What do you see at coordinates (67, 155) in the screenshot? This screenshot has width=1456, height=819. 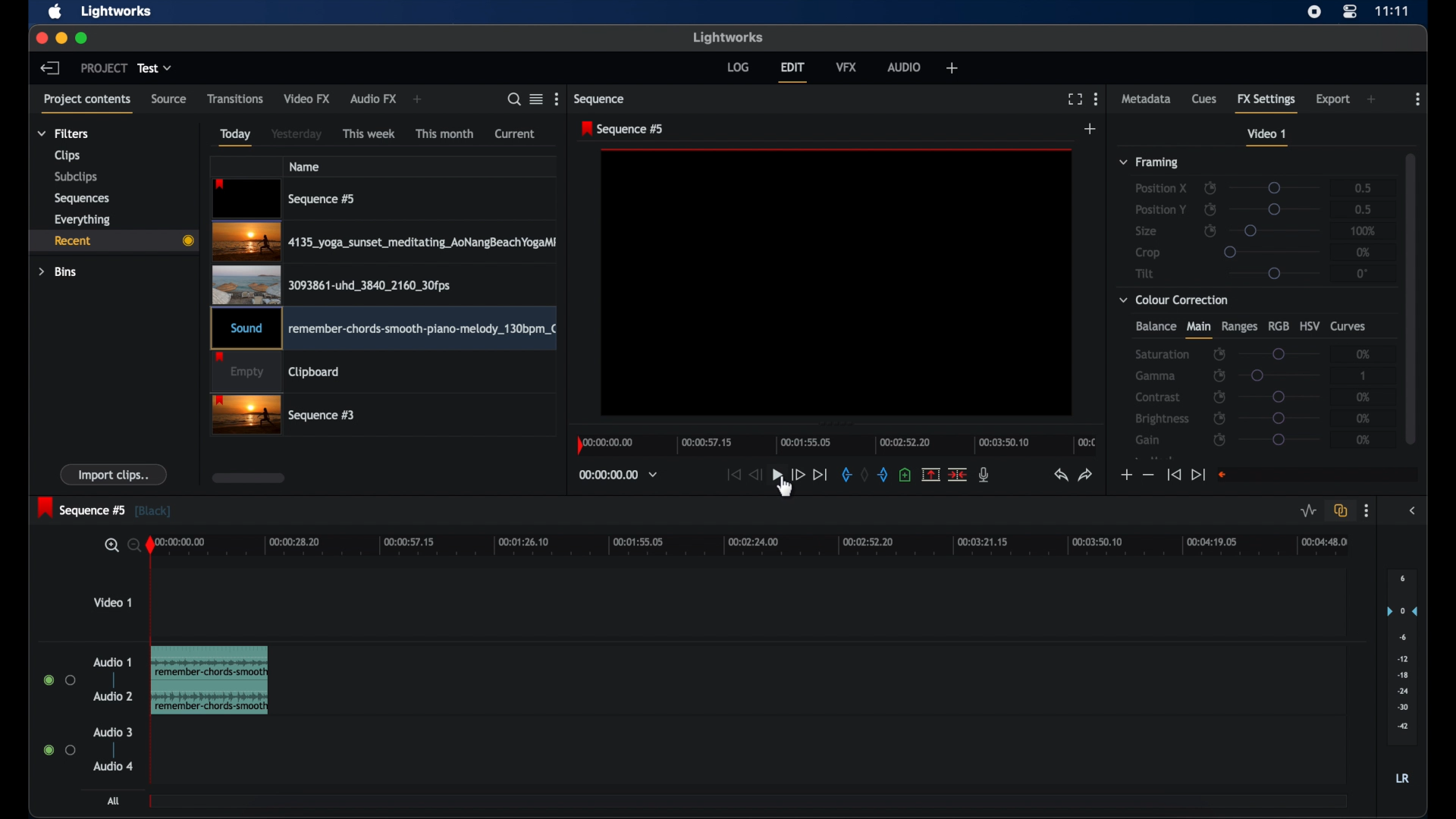 I see `clips` at bounding box center [67, 155].